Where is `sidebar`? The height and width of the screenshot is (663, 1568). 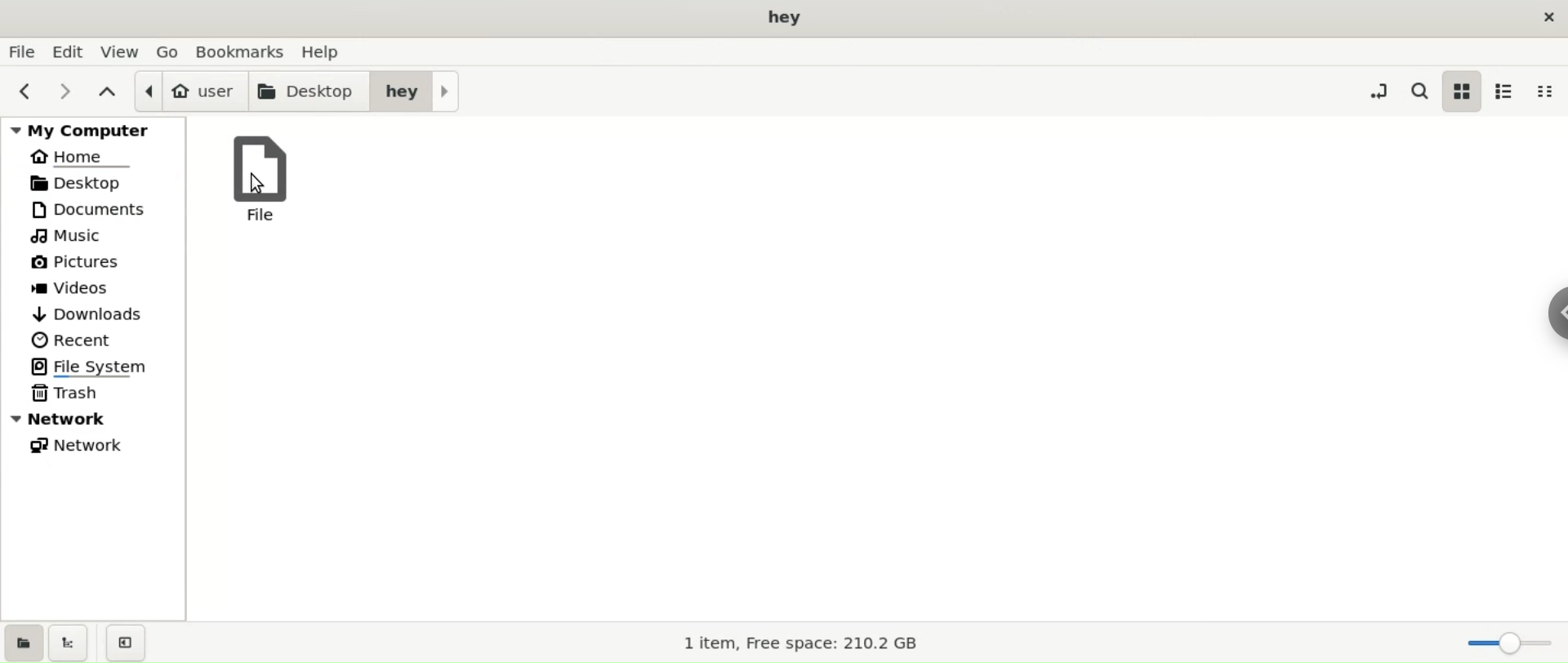
sidebar is located at coordinates (1552, 314).